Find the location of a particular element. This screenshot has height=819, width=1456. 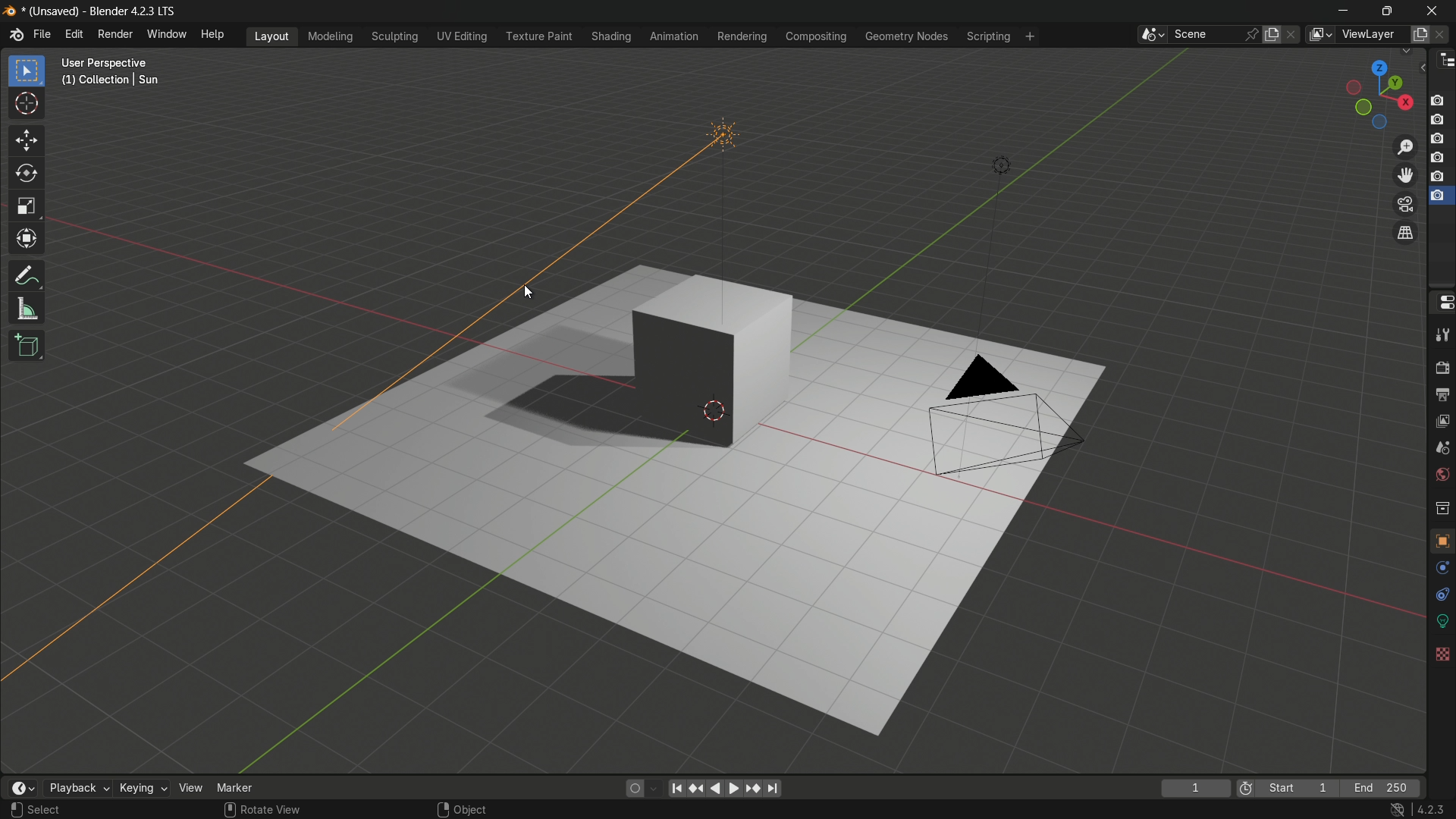

object is located at coordinates (472, 810).